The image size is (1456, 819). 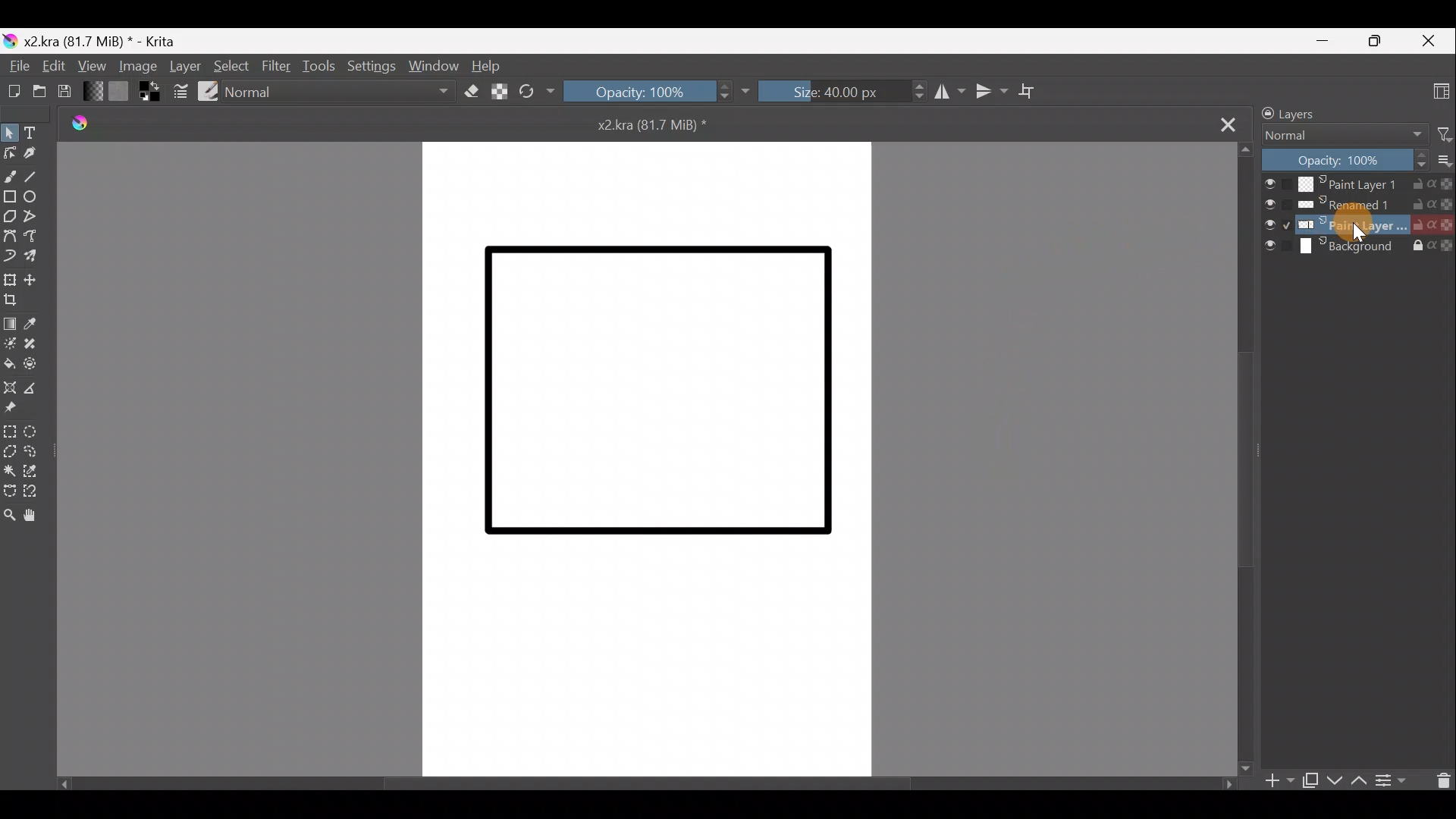 I want to click on Cursor, so click(x=1355, y=227).